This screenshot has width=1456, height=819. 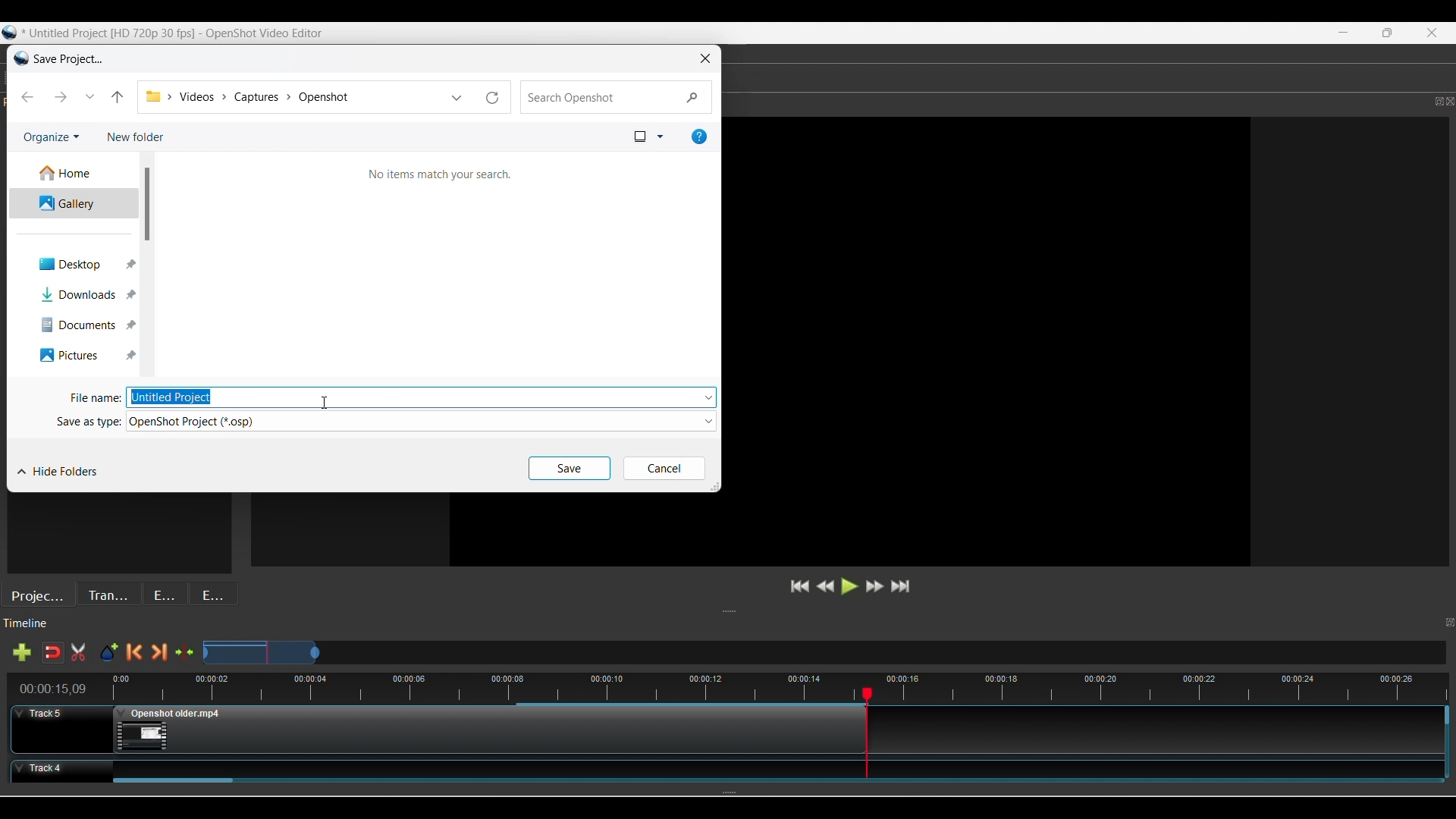 What do you see at coordinates (762, 767) in the screenshot?
I see `Clip at Track Panel` at bounding box center [762, 767].